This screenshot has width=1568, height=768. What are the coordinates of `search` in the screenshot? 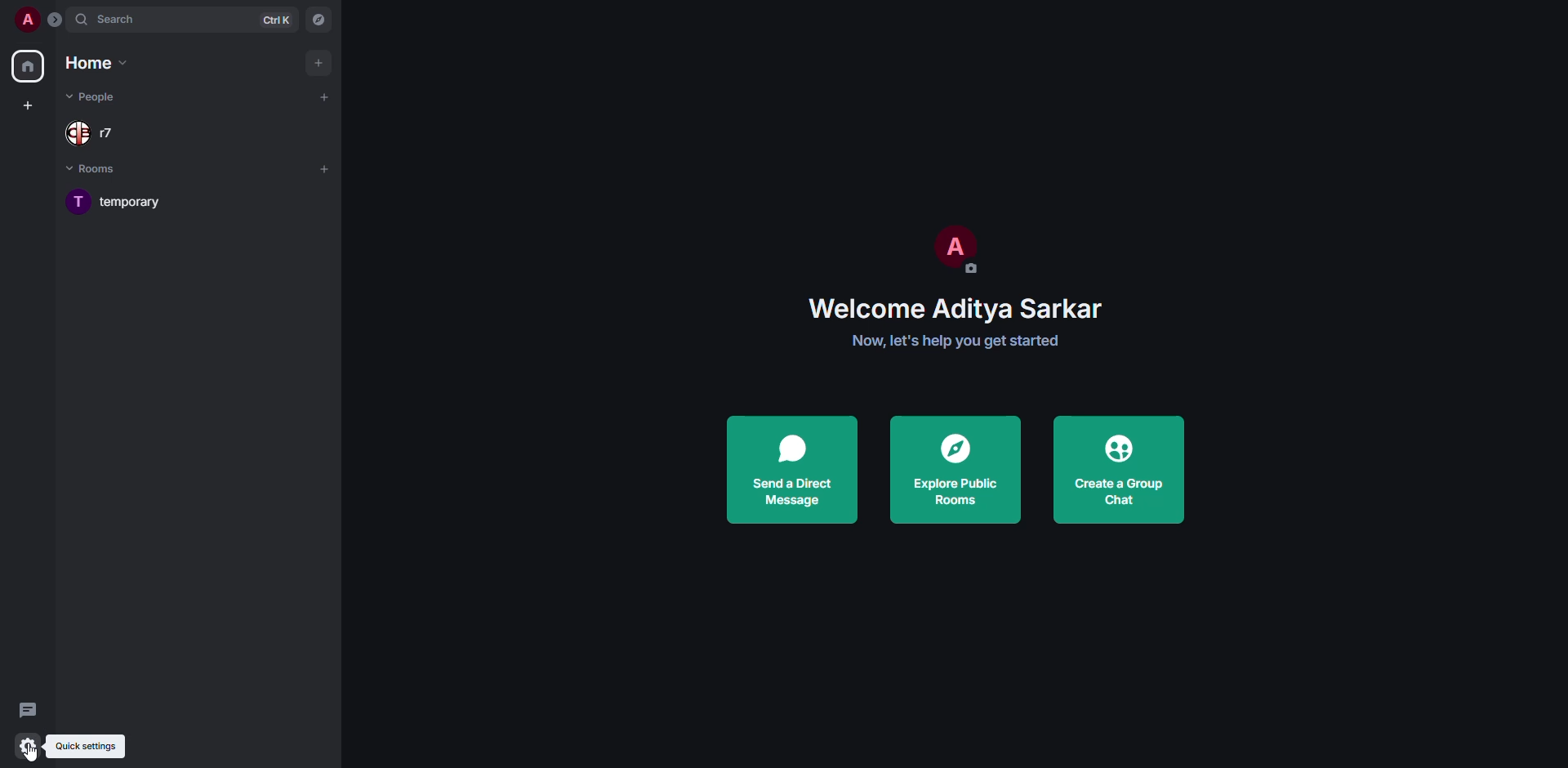 It's located at (114, 20).